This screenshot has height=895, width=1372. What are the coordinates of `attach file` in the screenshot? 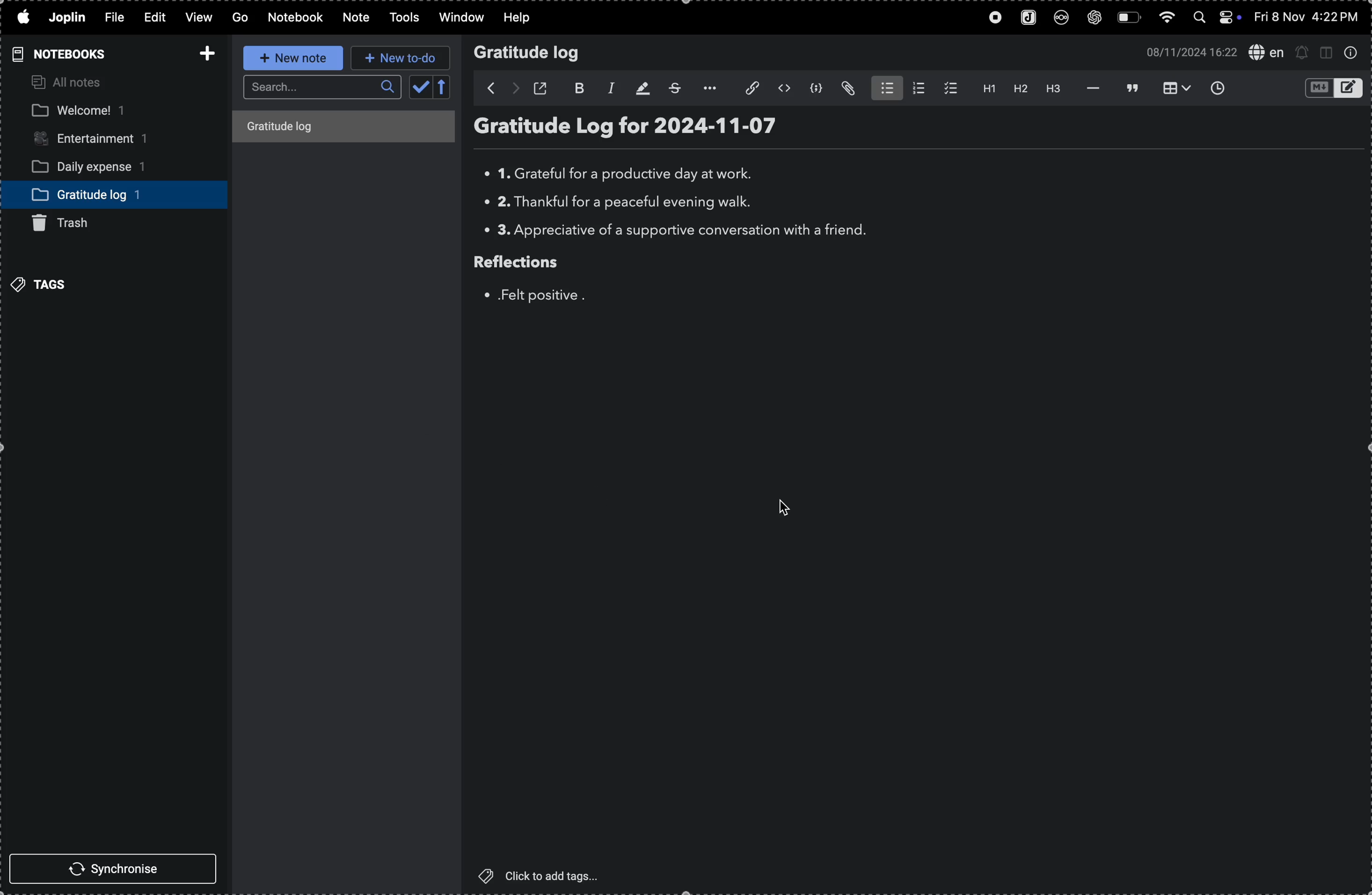 It's located at (847, 90).